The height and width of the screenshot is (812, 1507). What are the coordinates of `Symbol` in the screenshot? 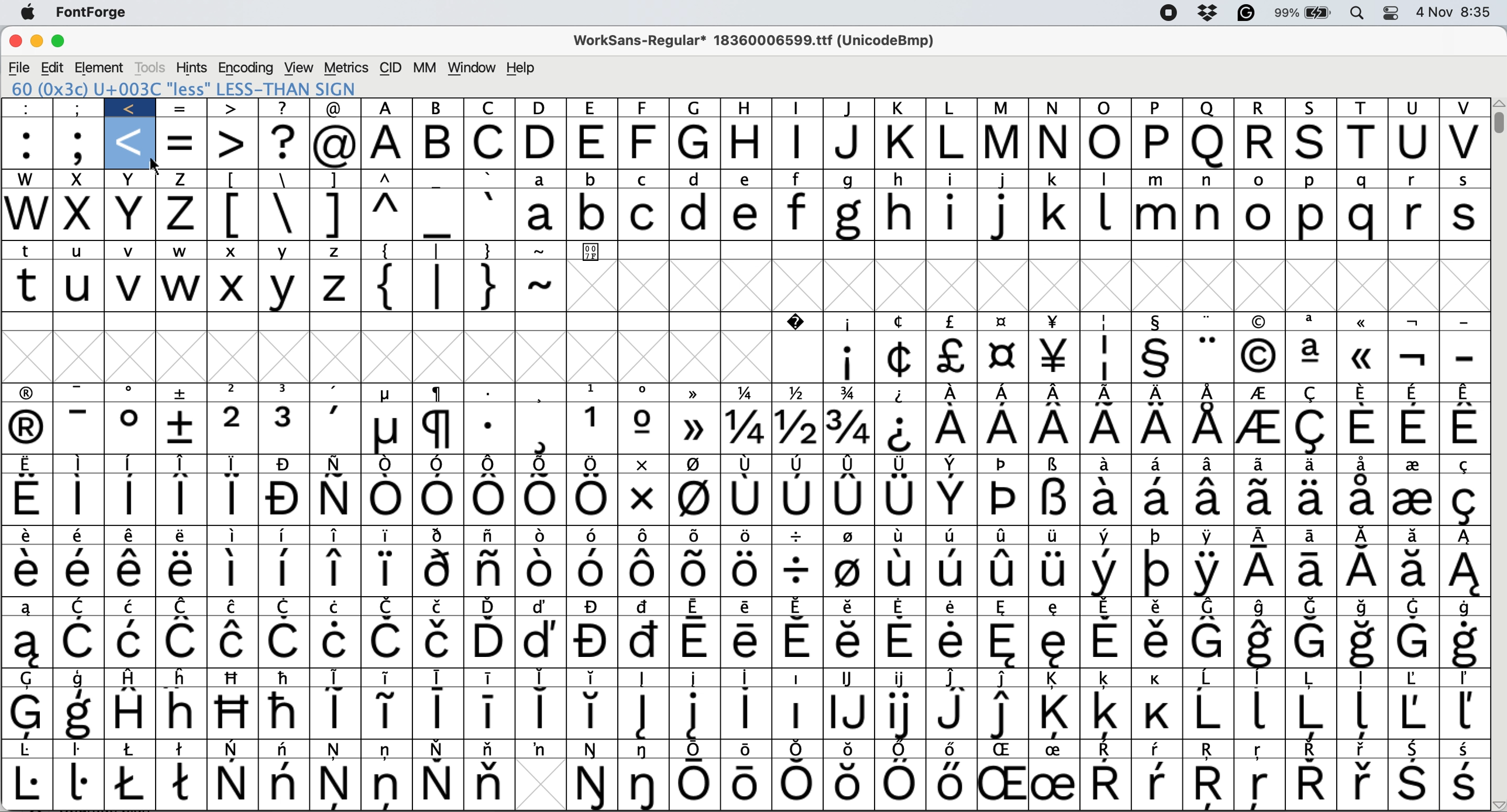 It's located at (1361, 679).